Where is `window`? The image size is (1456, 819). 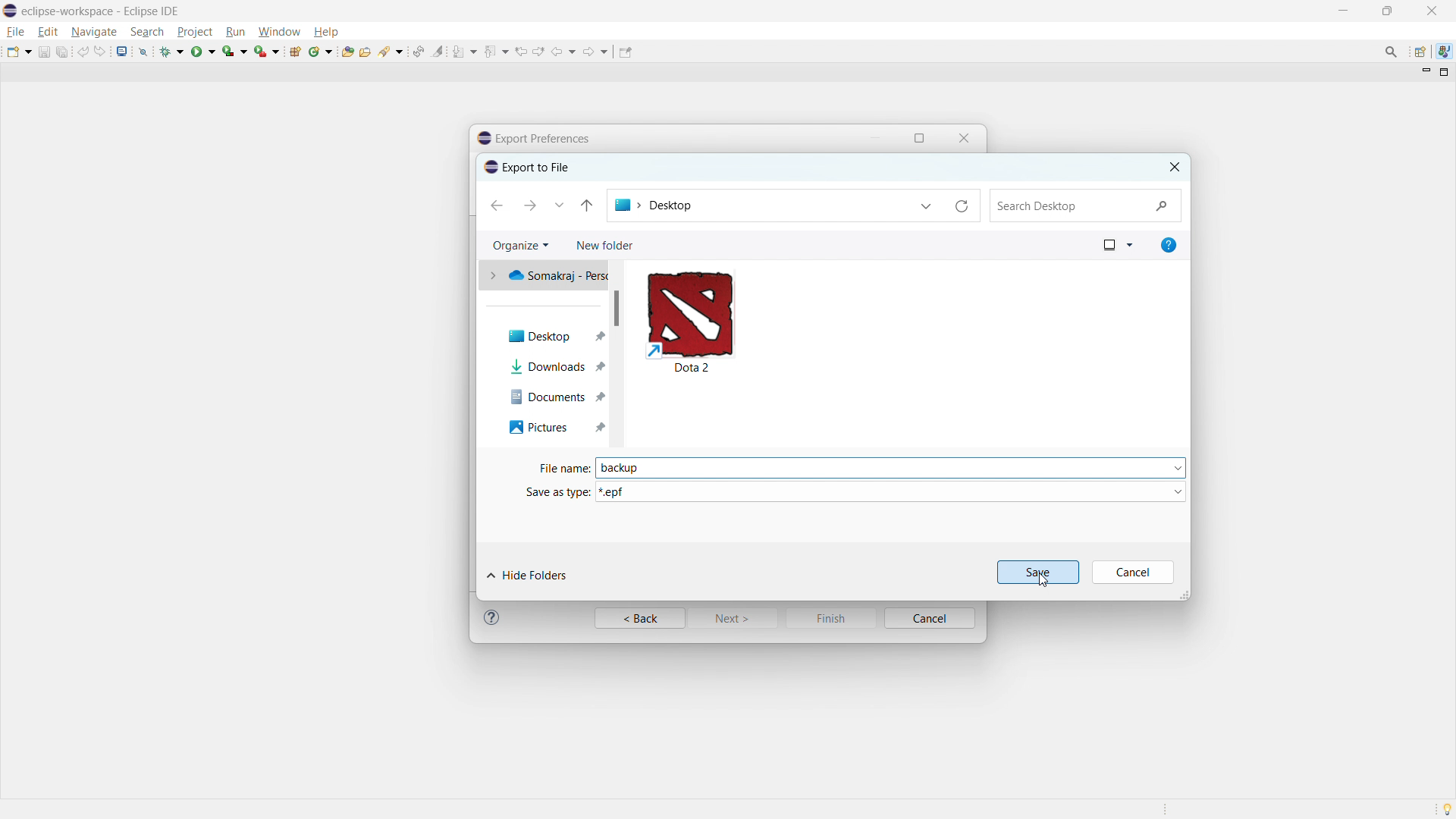
window is located at coordinates (279, 32).